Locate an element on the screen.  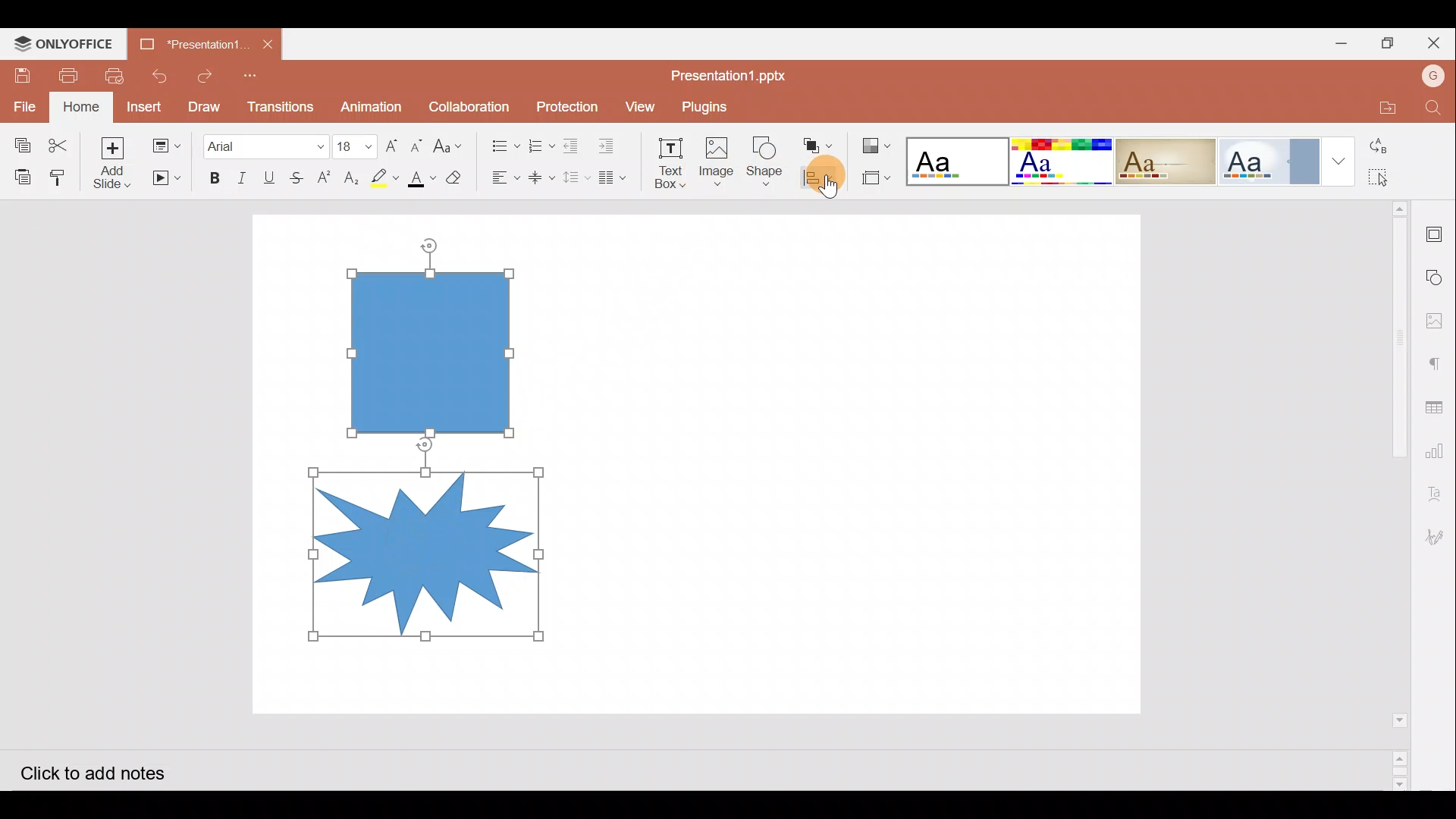
Quick print is located at coordinates (118, 73).